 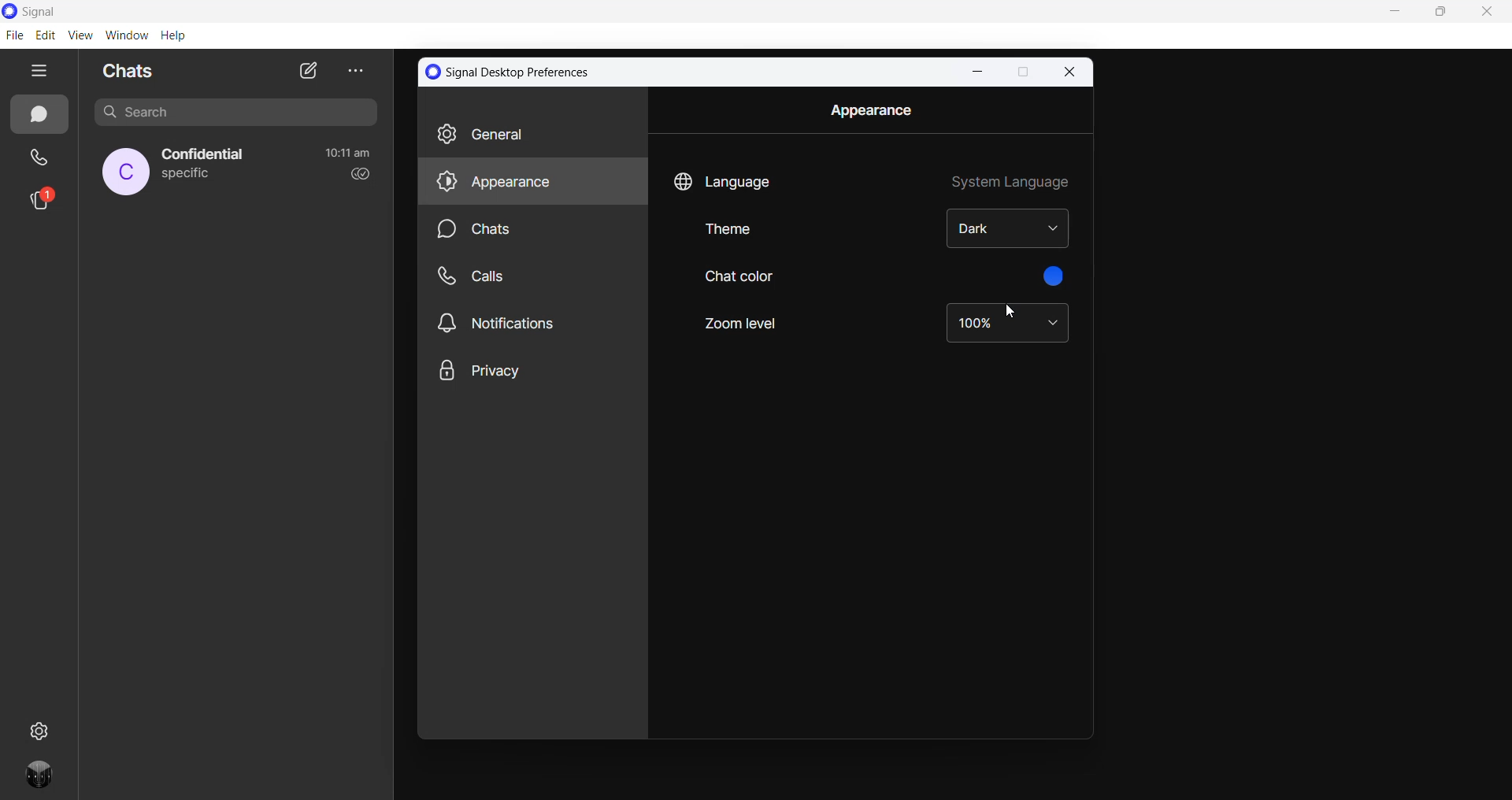 What do you see at coordinates (39, 115) in the screenshot?
I see `chats` at bounding box center [39, 115].